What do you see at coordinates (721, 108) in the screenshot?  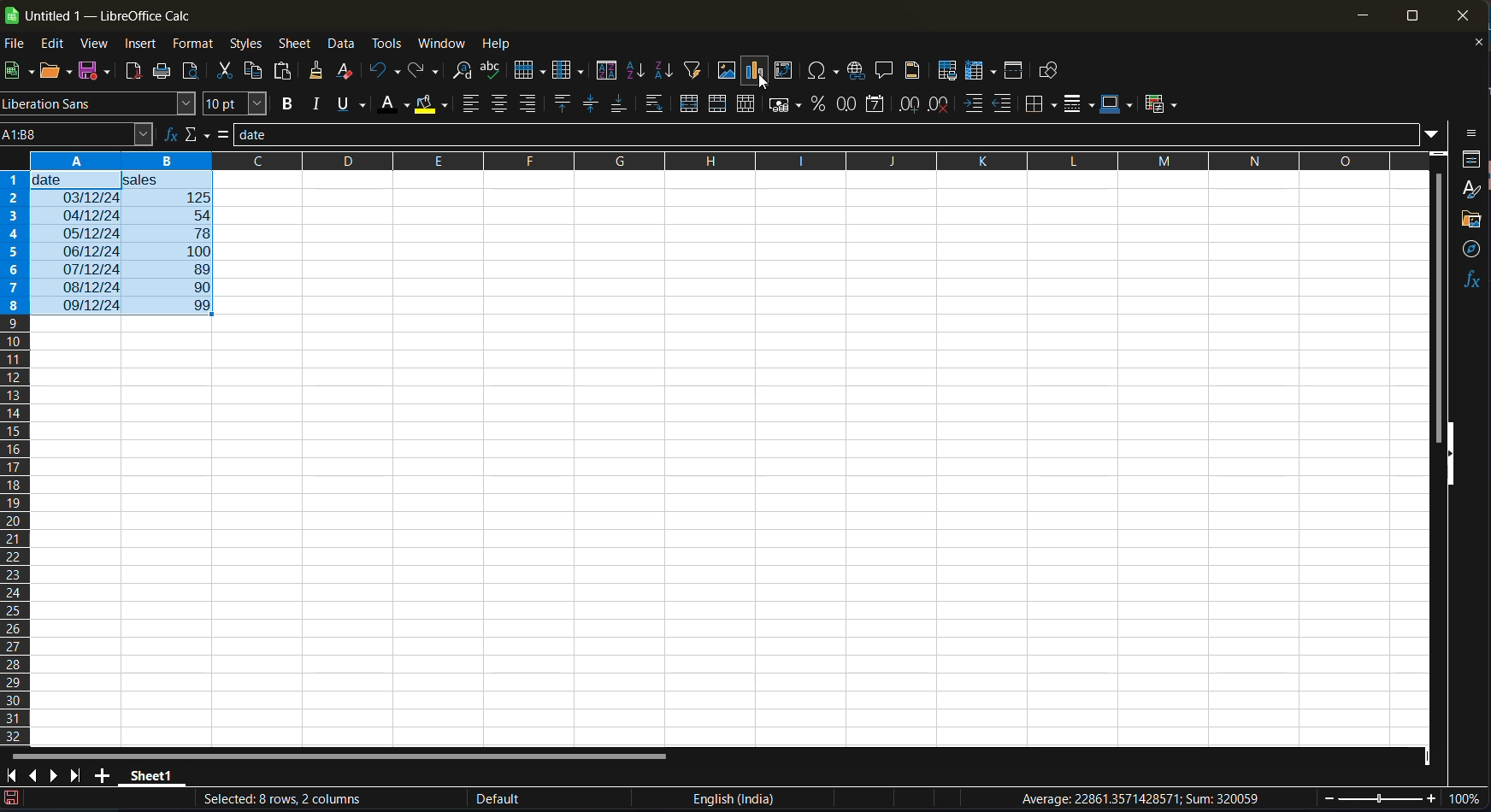 I see `merge cells` at bounding box center [721, 108].